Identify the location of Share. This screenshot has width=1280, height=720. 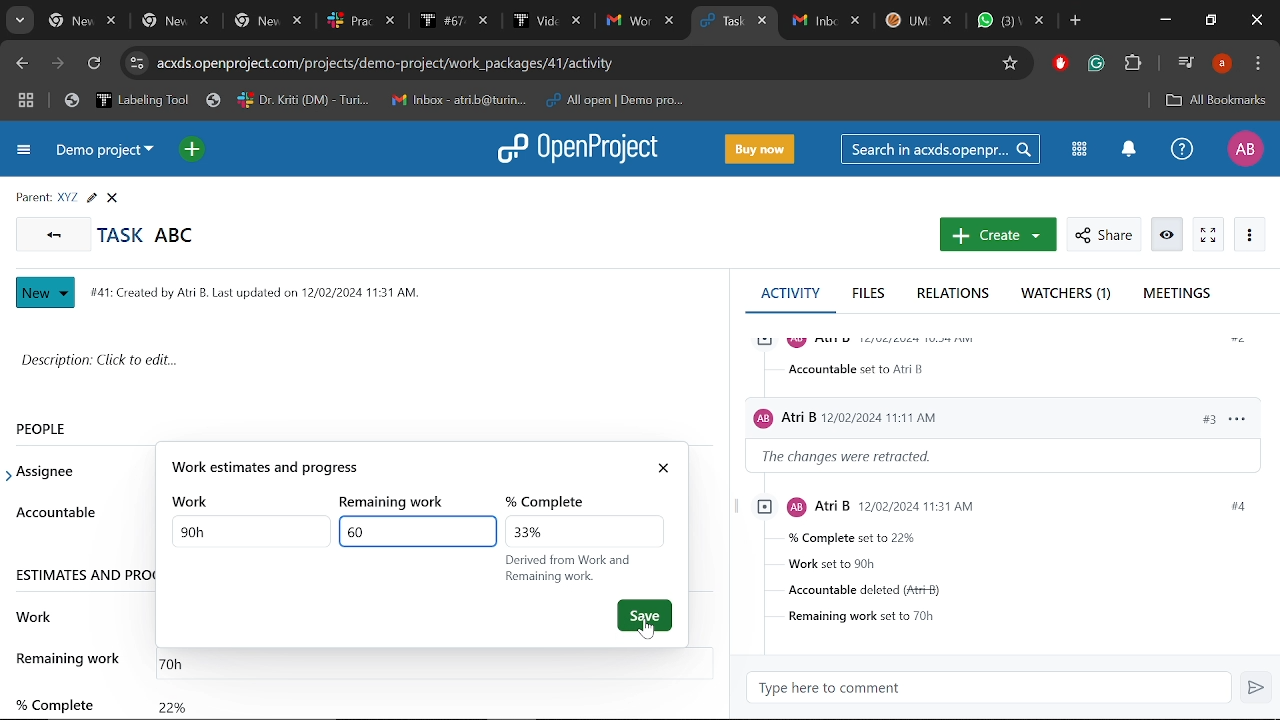
(1102, 235).